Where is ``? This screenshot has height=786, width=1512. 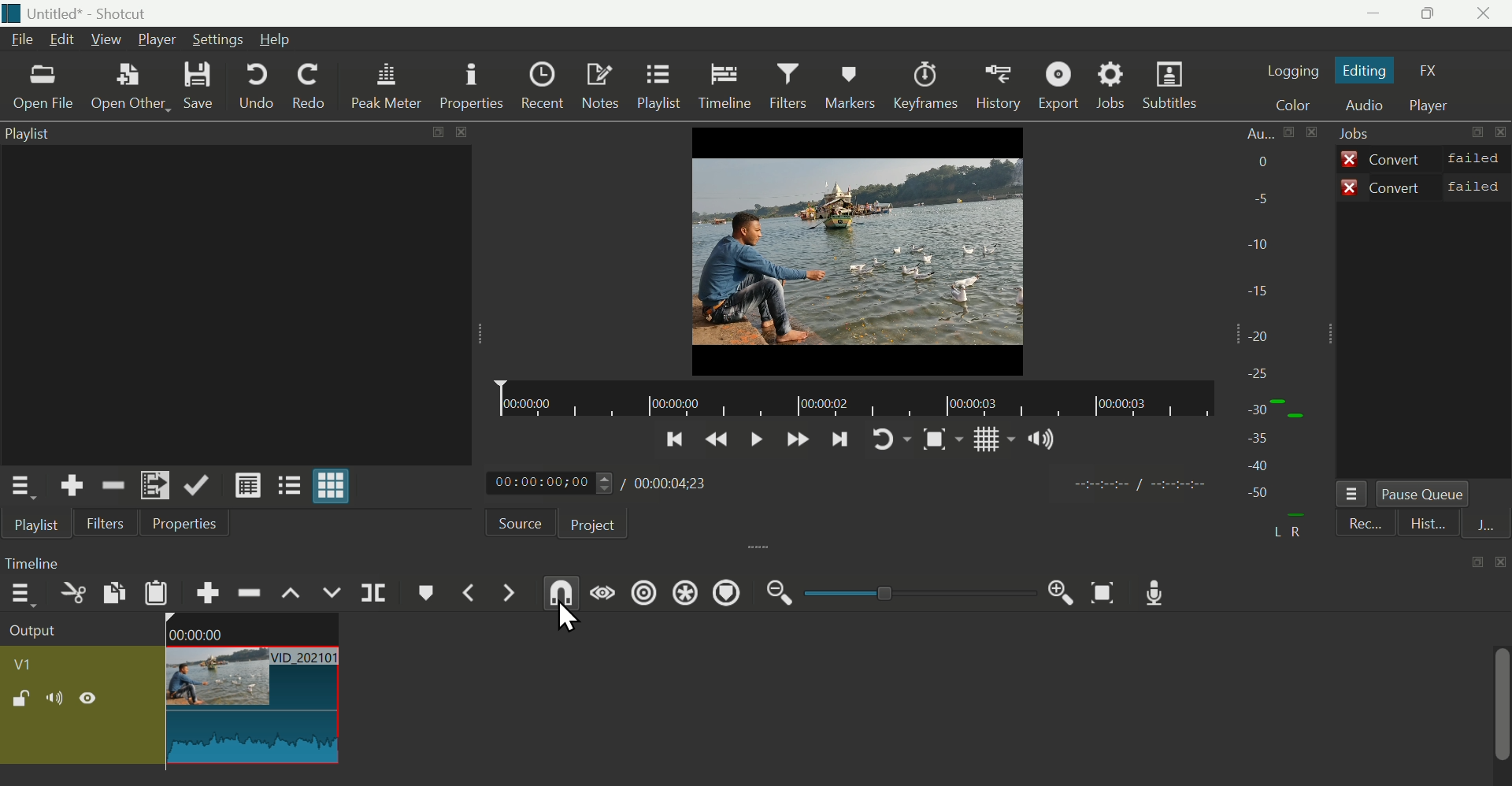  is located at coordinates (642, 593).